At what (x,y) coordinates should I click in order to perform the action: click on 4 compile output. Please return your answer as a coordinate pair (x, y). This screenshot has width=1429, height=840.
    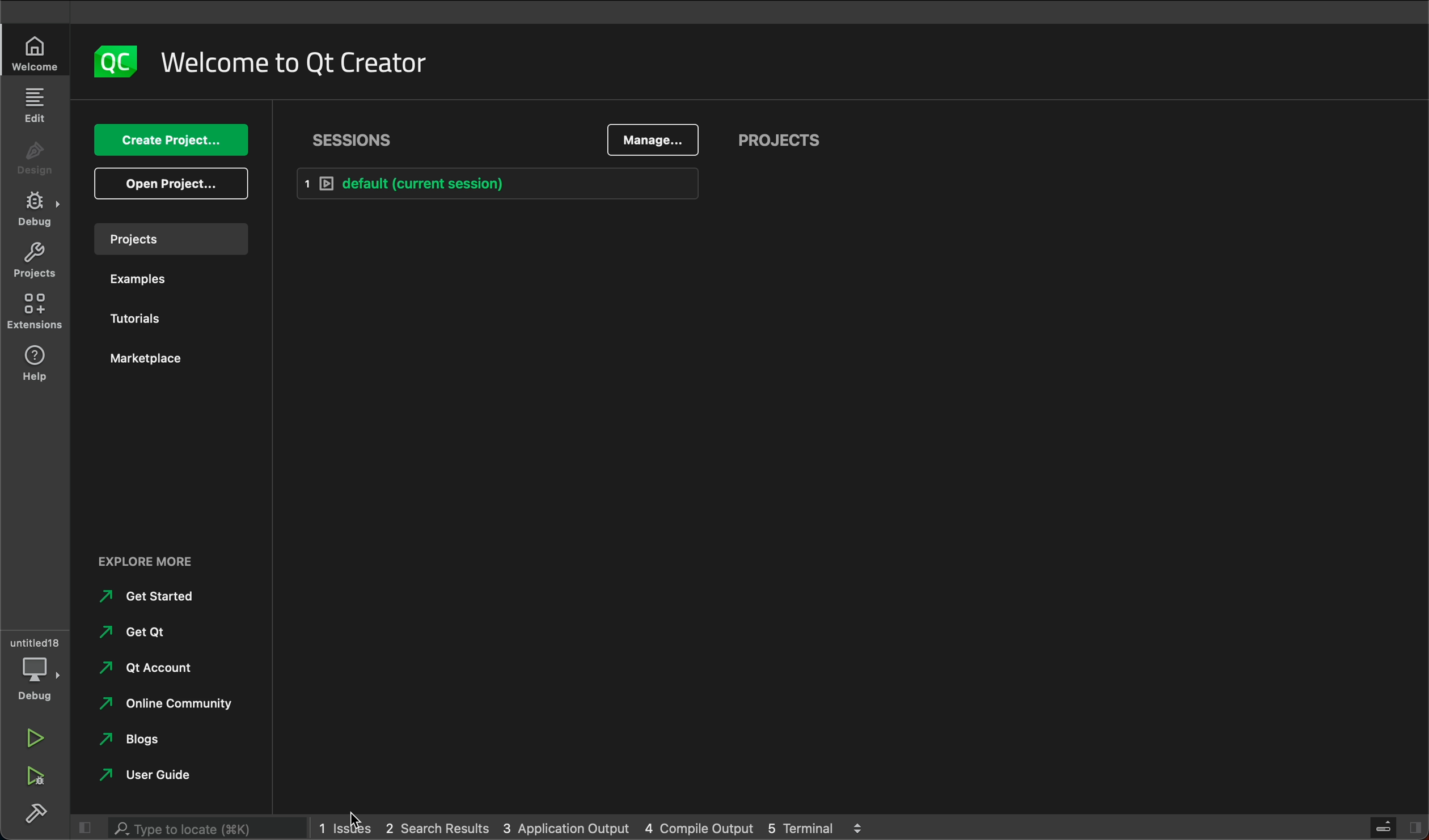
    Looking at the image, I should click on (697, 826).